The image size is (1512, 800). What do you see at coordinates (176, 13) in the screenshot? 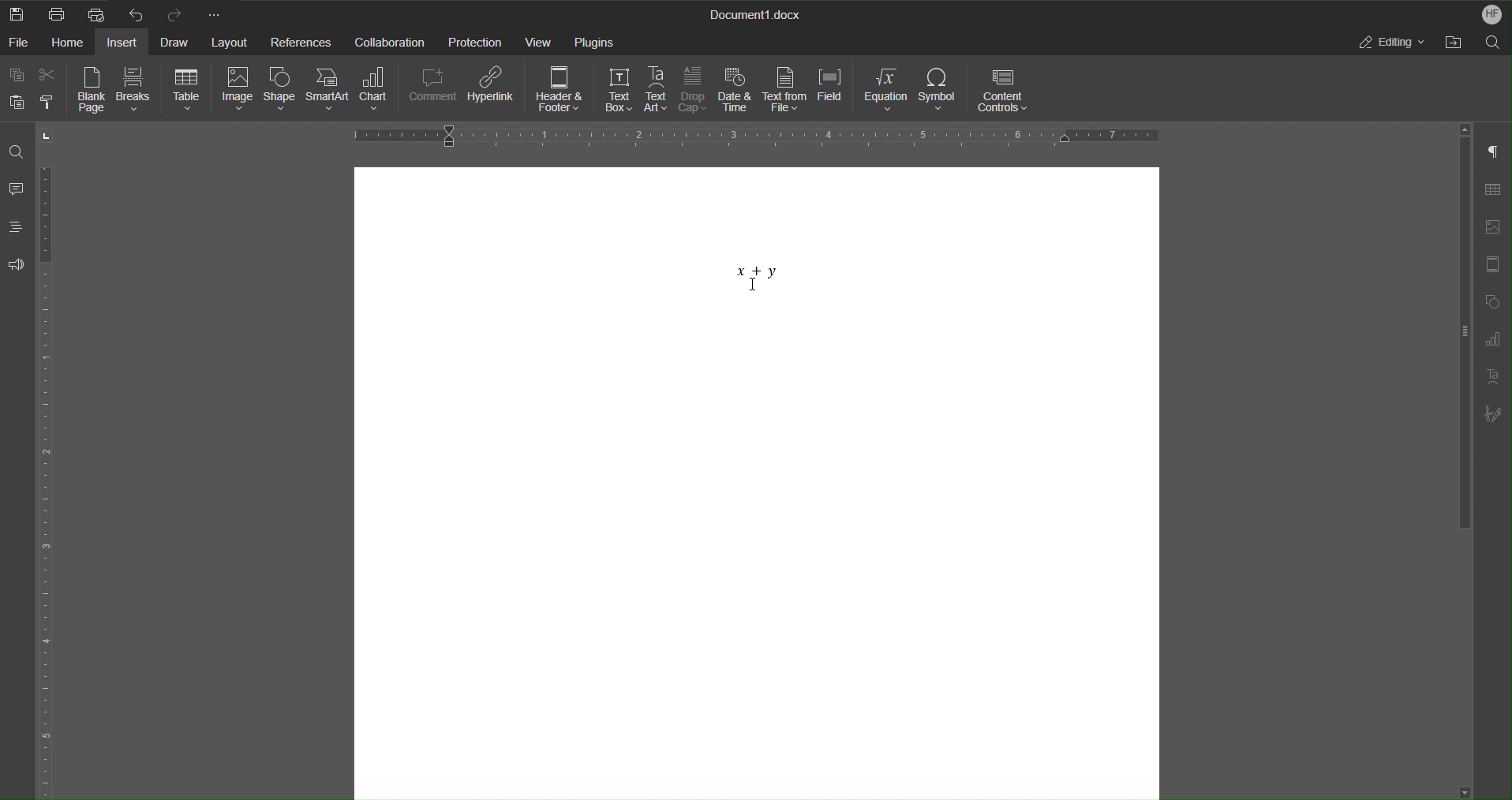
I see `Redo` at bounding box center [176, 13].